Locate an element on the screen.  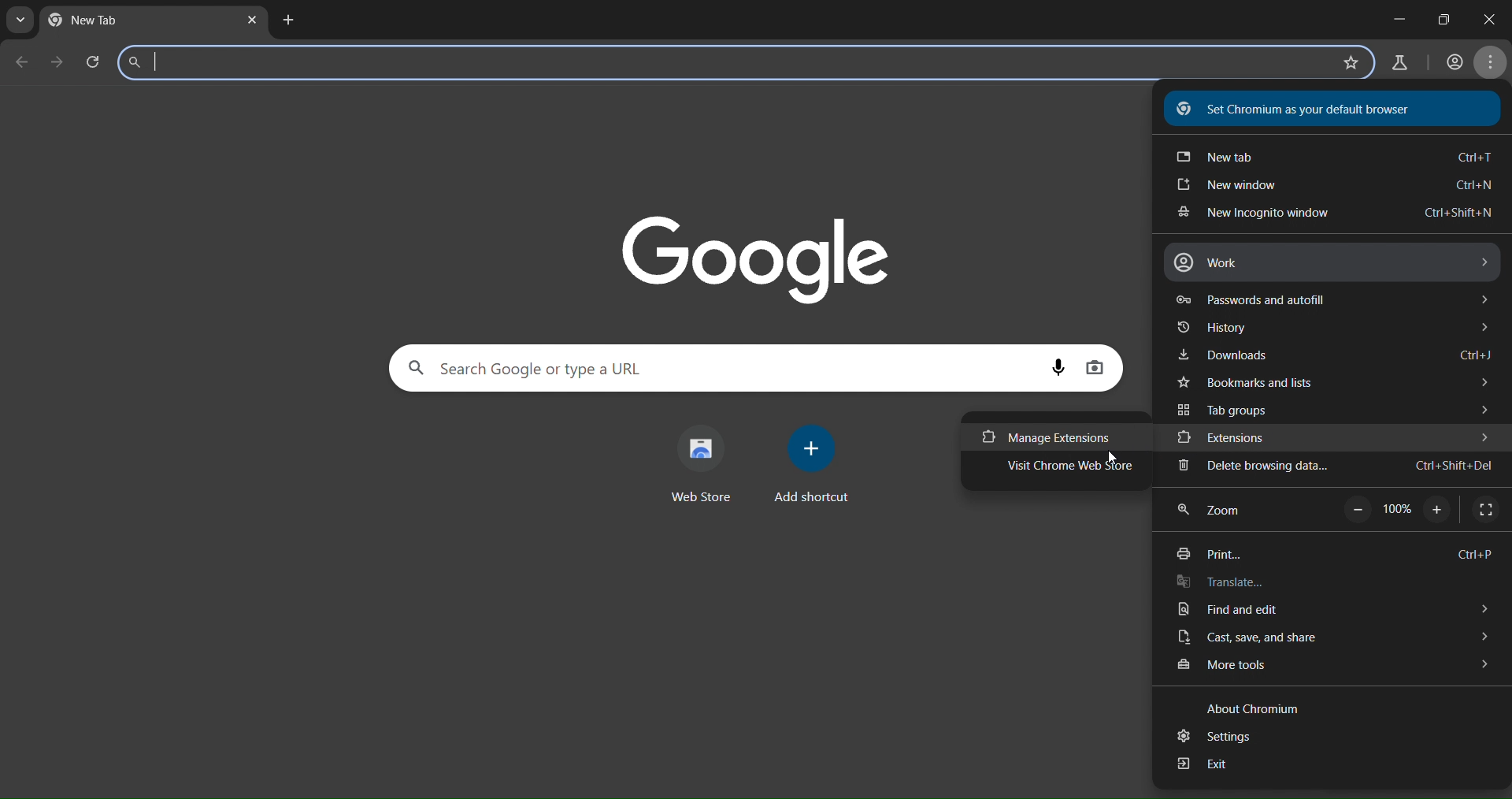
exit is located at coordinates (1213, 765).